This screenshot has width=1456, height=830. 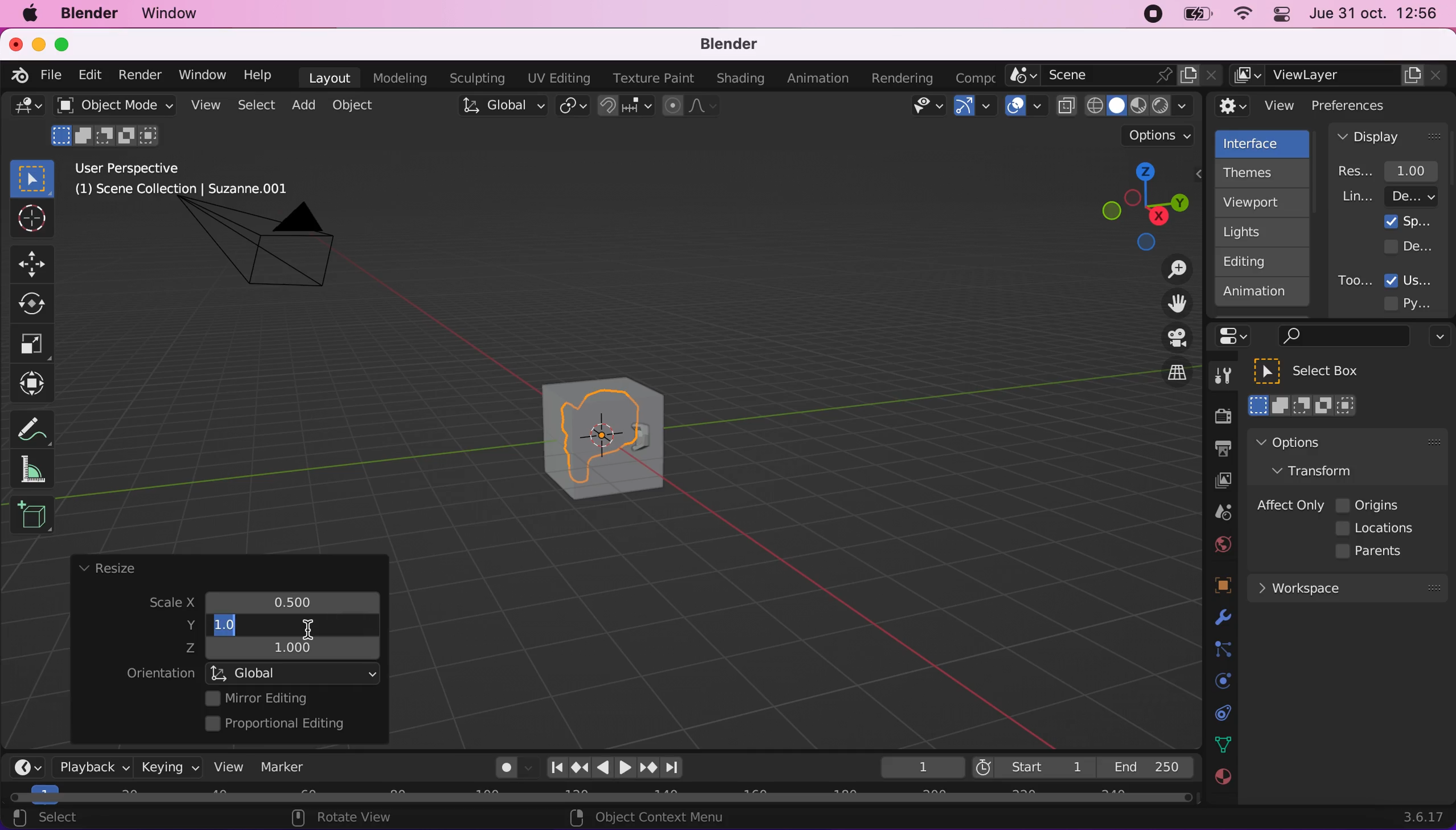 I want to click on scene, so click(x=1114, y=76).